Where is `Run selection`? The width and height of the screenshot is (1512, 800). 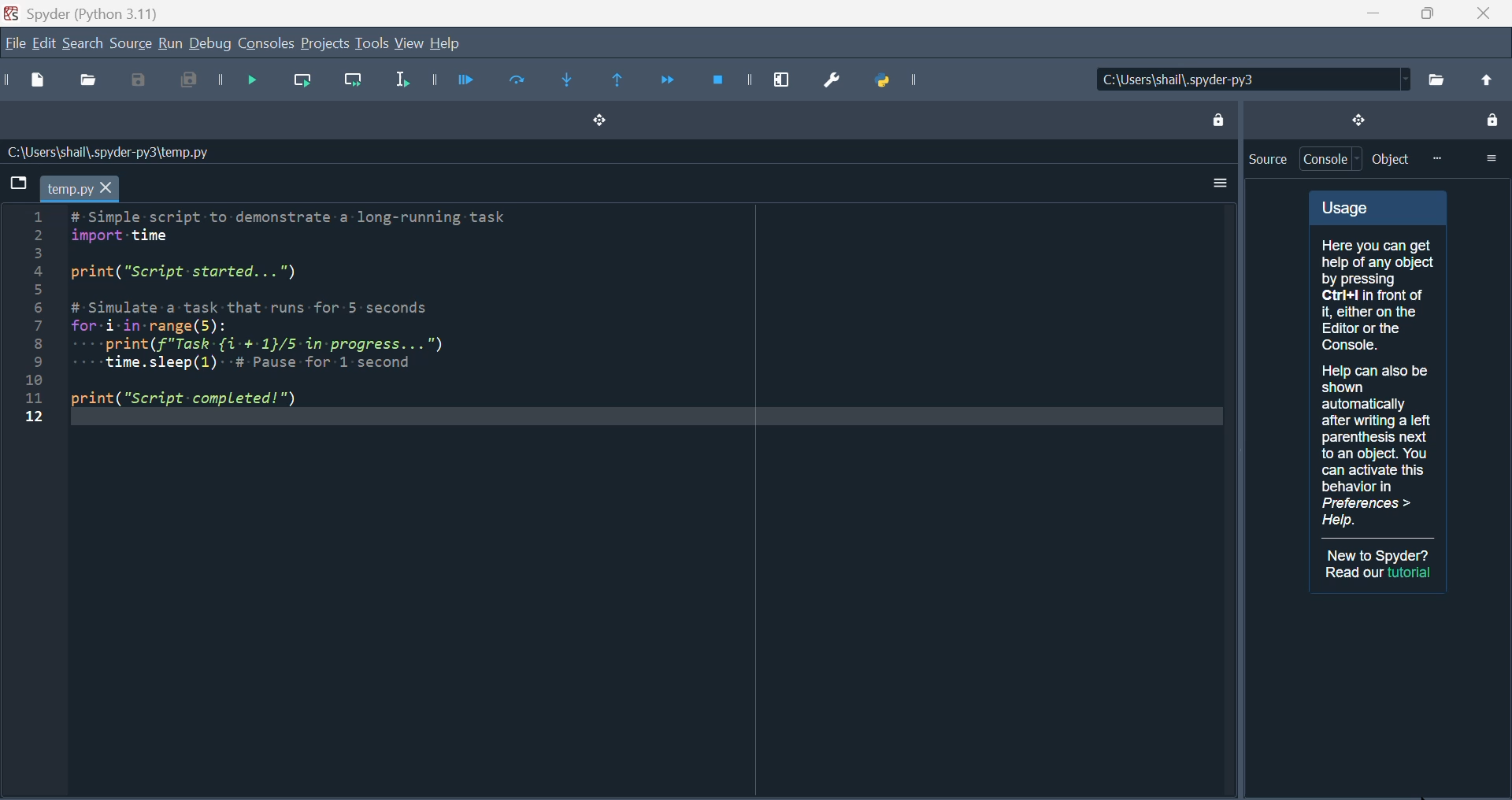
Run selection is located at coordinates (399, 83).